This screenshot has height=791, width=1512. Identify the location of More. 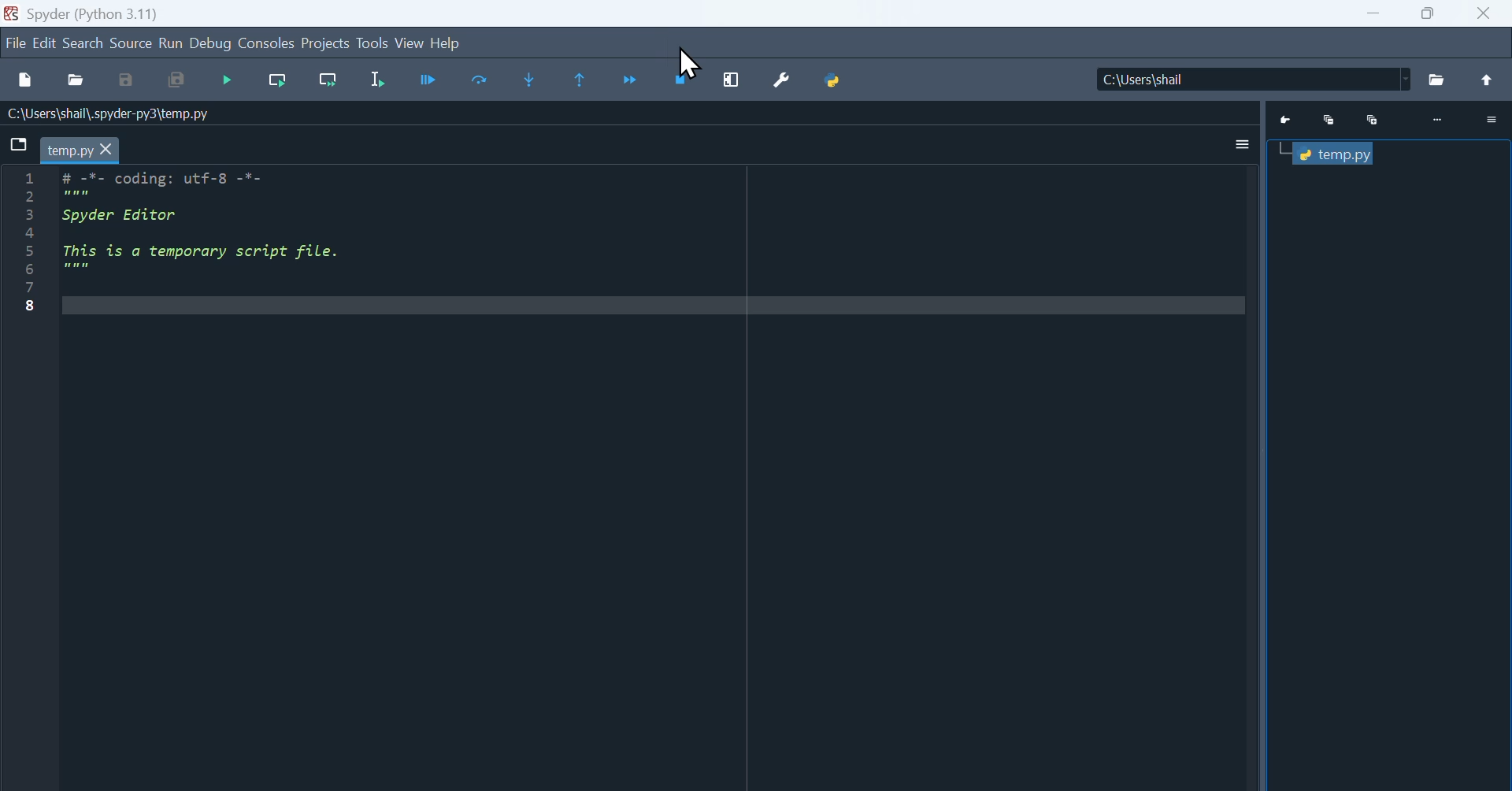
(1436, 122).